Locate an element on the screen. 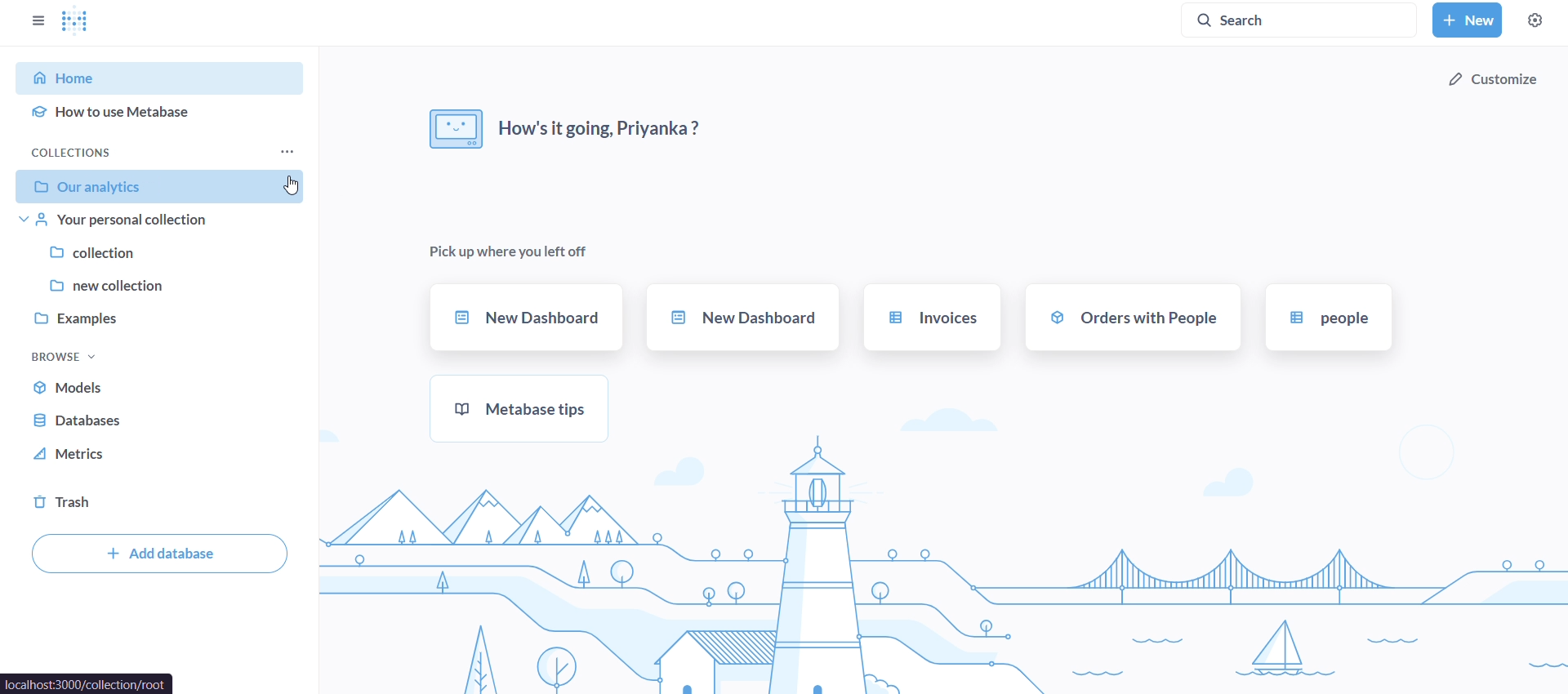 The image size is (1568, 694). our analytics is located at coordinates (168, 188).